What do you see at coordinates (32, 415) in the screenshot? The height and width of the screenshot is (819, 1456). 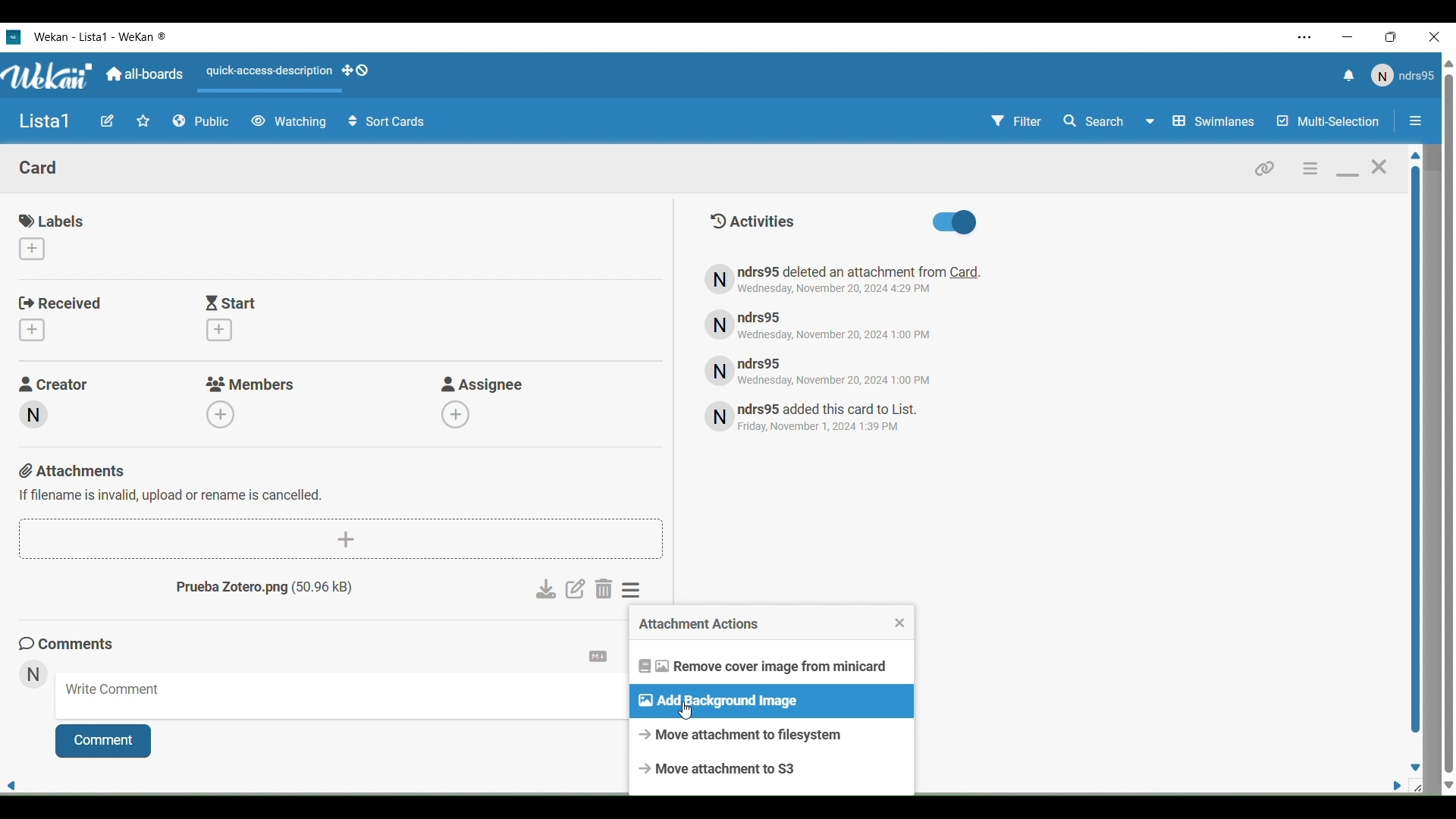 I see `Creator` at bounding box center [32, 415].